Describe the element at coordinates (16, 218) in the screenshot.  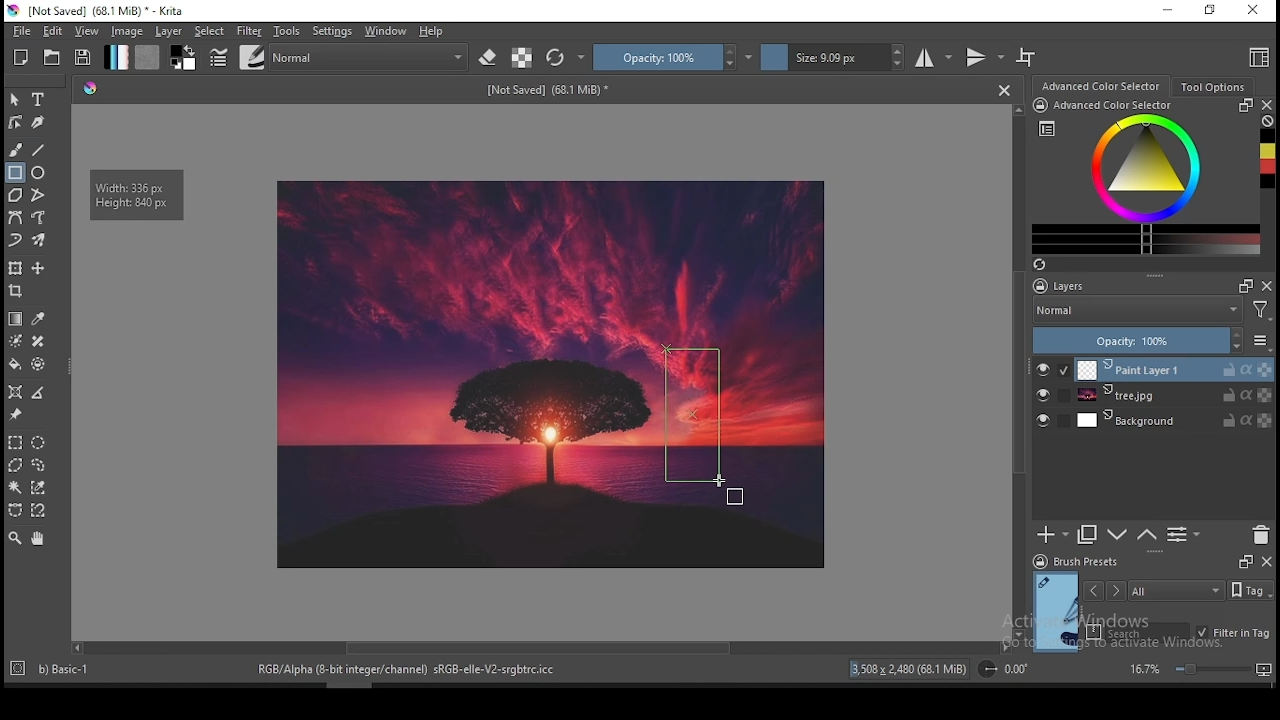
I see `bezier curve tool` at that location.